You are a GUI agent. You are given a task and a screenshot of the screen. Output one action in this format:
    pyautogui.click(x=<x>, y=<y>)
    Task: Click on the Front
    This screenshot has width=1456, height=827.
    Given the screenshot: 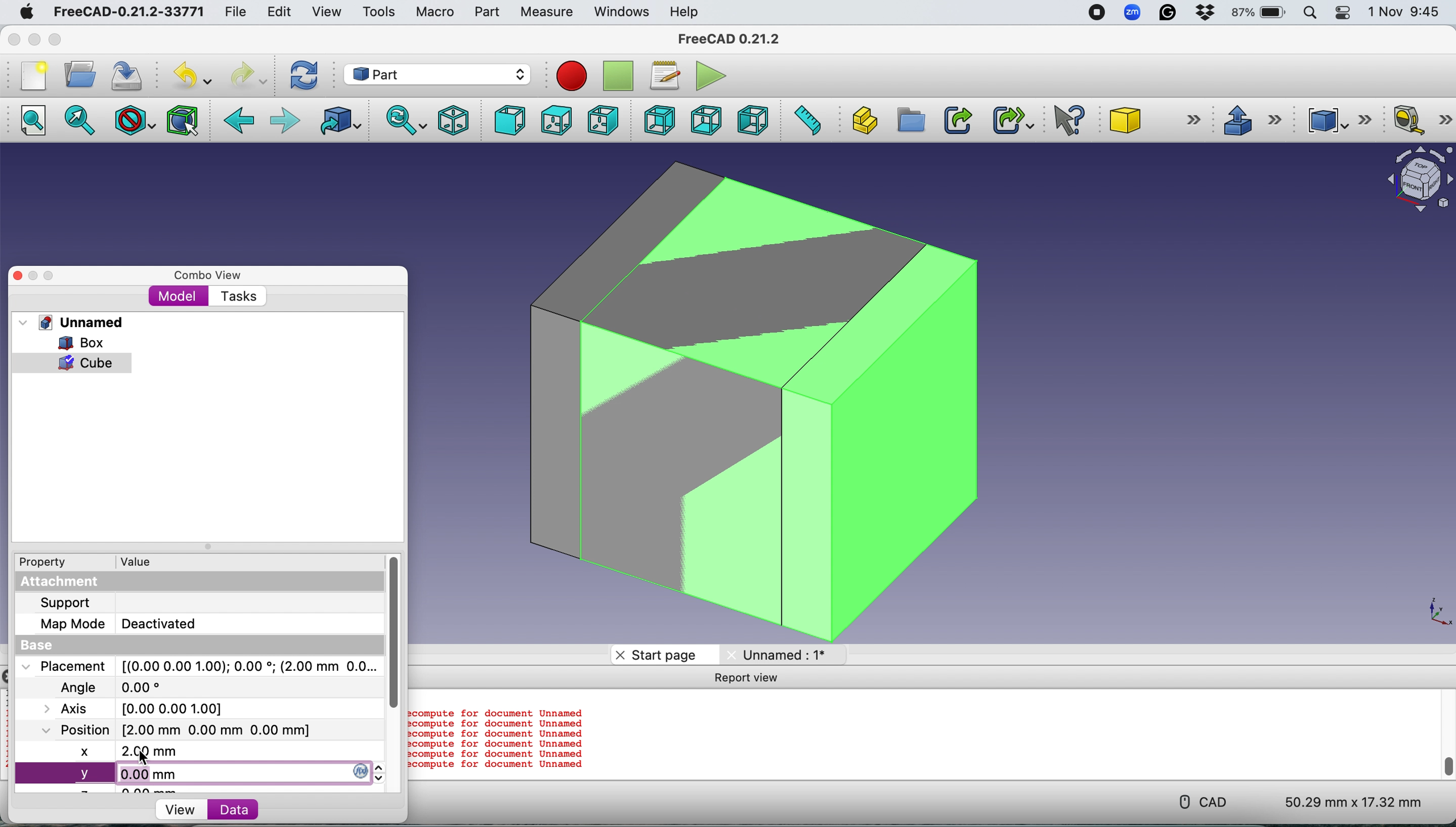 What is the action you would take?
    pyautogui.click(x=506, y=120)
    